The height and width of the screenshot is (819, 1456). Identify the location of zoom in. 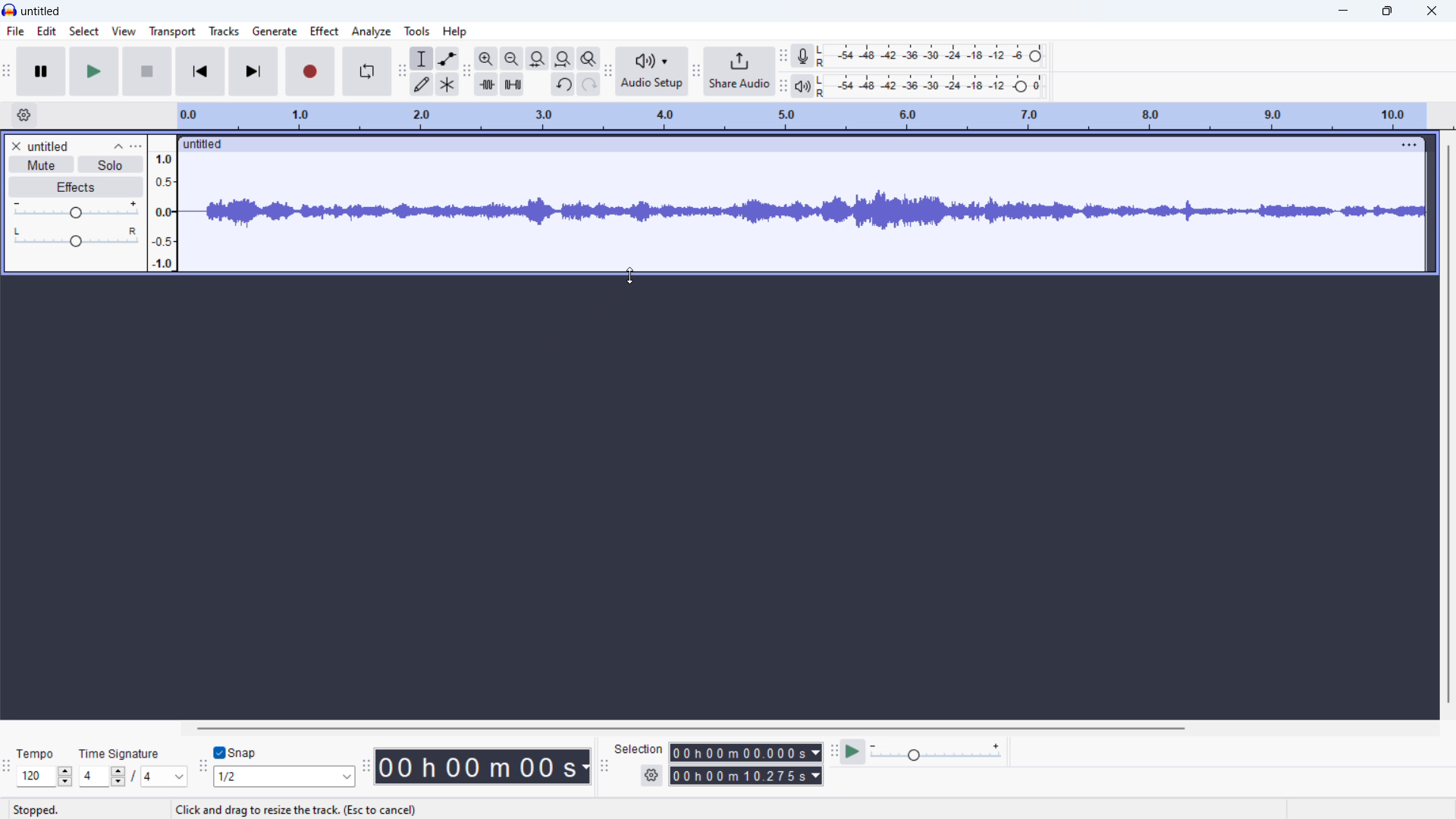
(485, 58).